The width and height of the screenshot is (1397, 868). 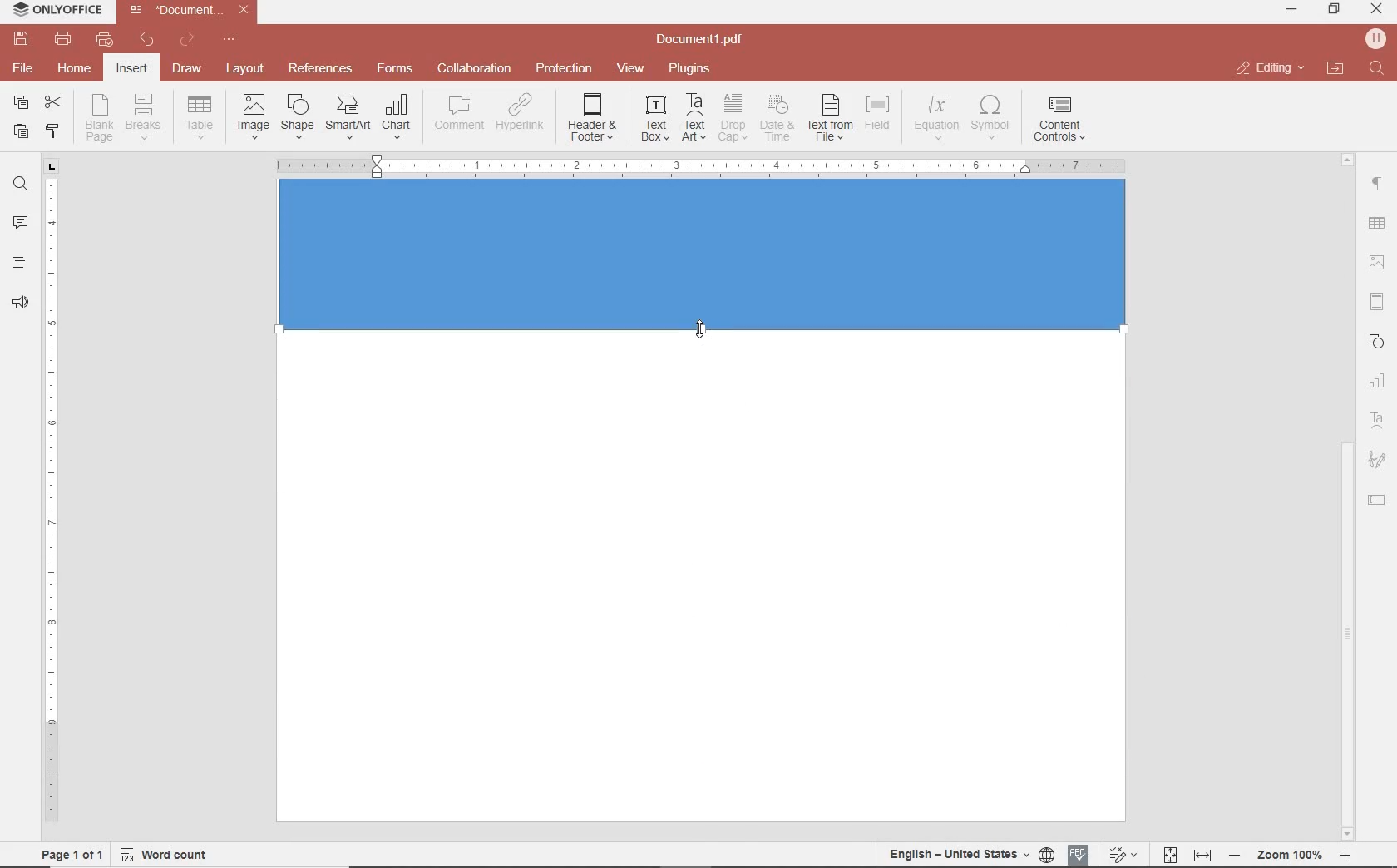 What do you see at coordinates (147, 40) in the screenshot?
I see `undo` at bounding box center [147, 40].